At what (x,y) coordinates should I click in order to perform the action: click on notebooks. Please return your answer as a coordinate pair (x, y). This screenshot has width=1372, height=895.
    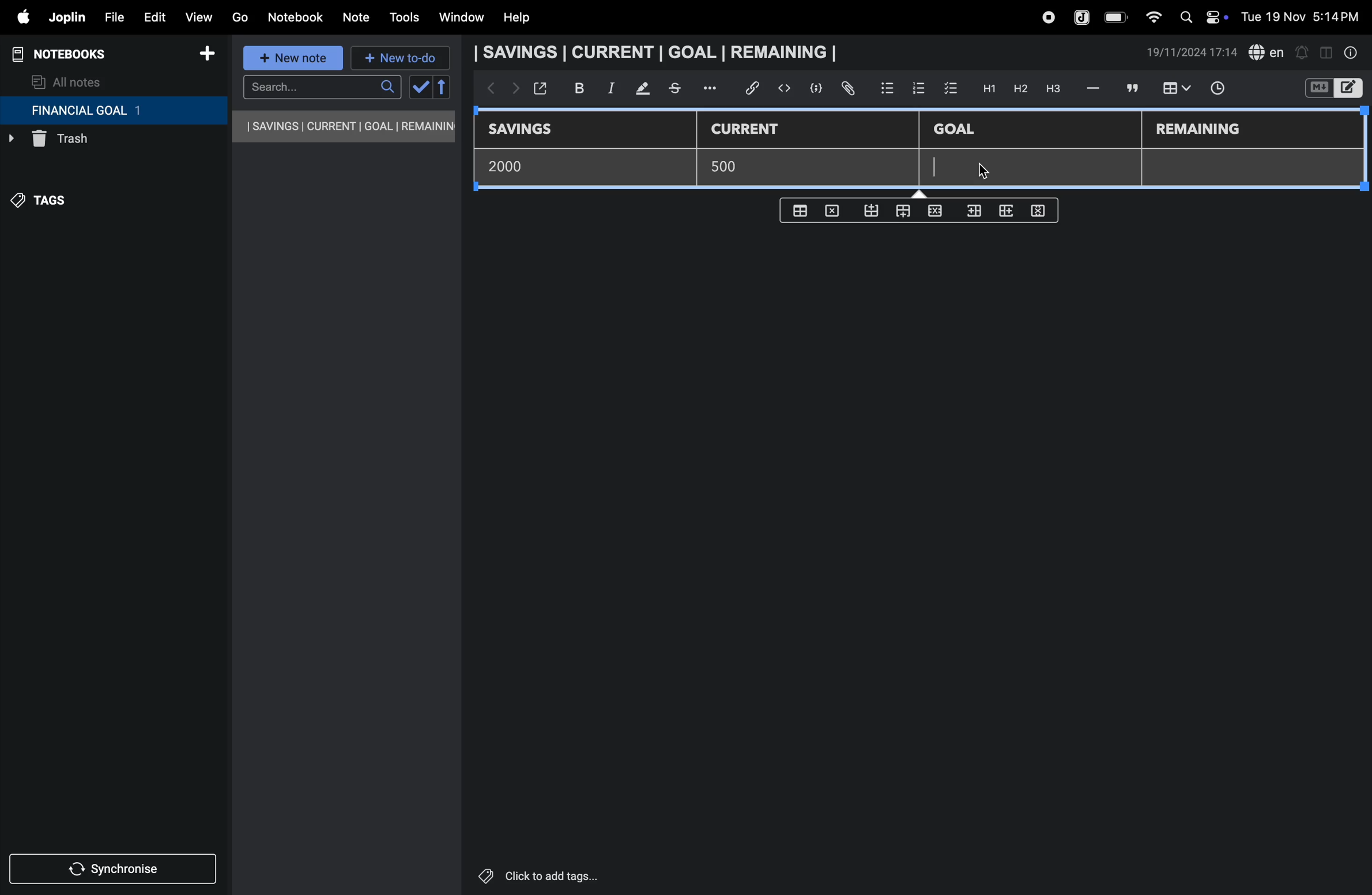
    Looking at the image, I should click on (69, 54).